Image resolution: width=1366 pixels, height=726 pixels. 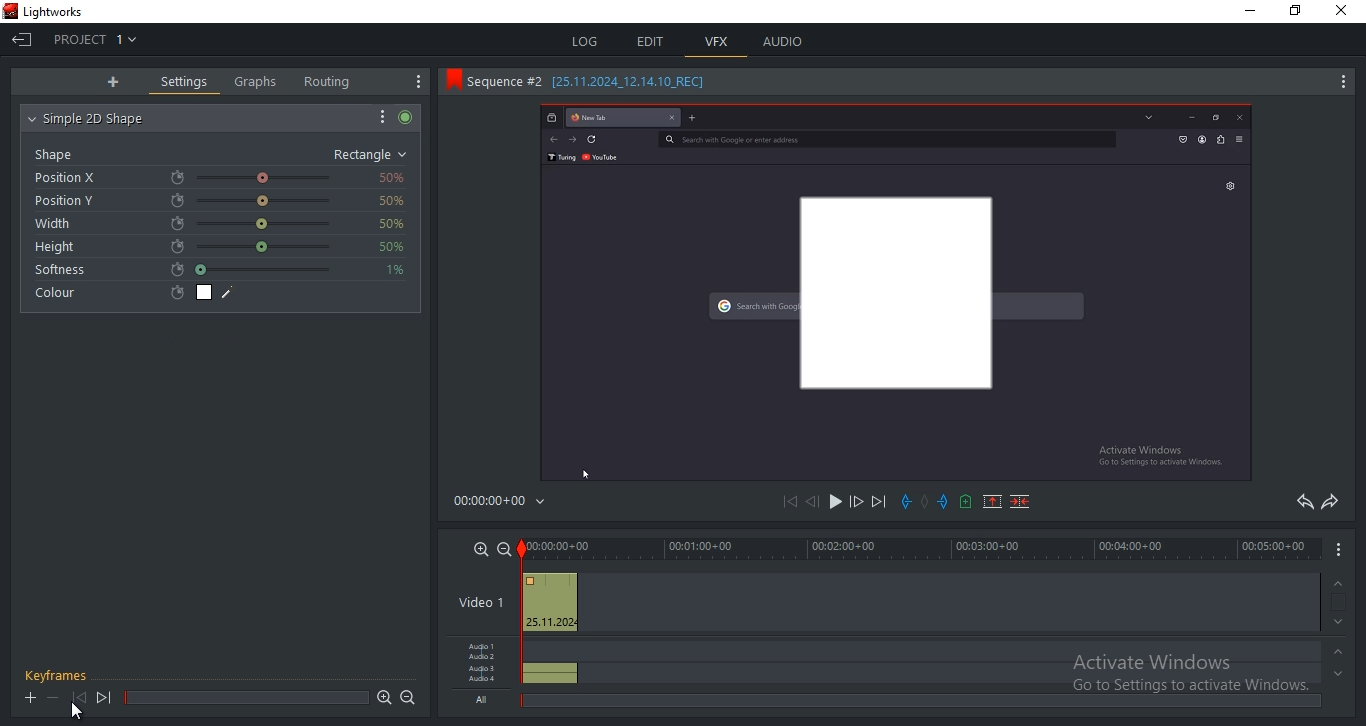 What do you see at coordinates (919, 547) in the screenshot?
I see `timeline` at bounding box center [919, 547].